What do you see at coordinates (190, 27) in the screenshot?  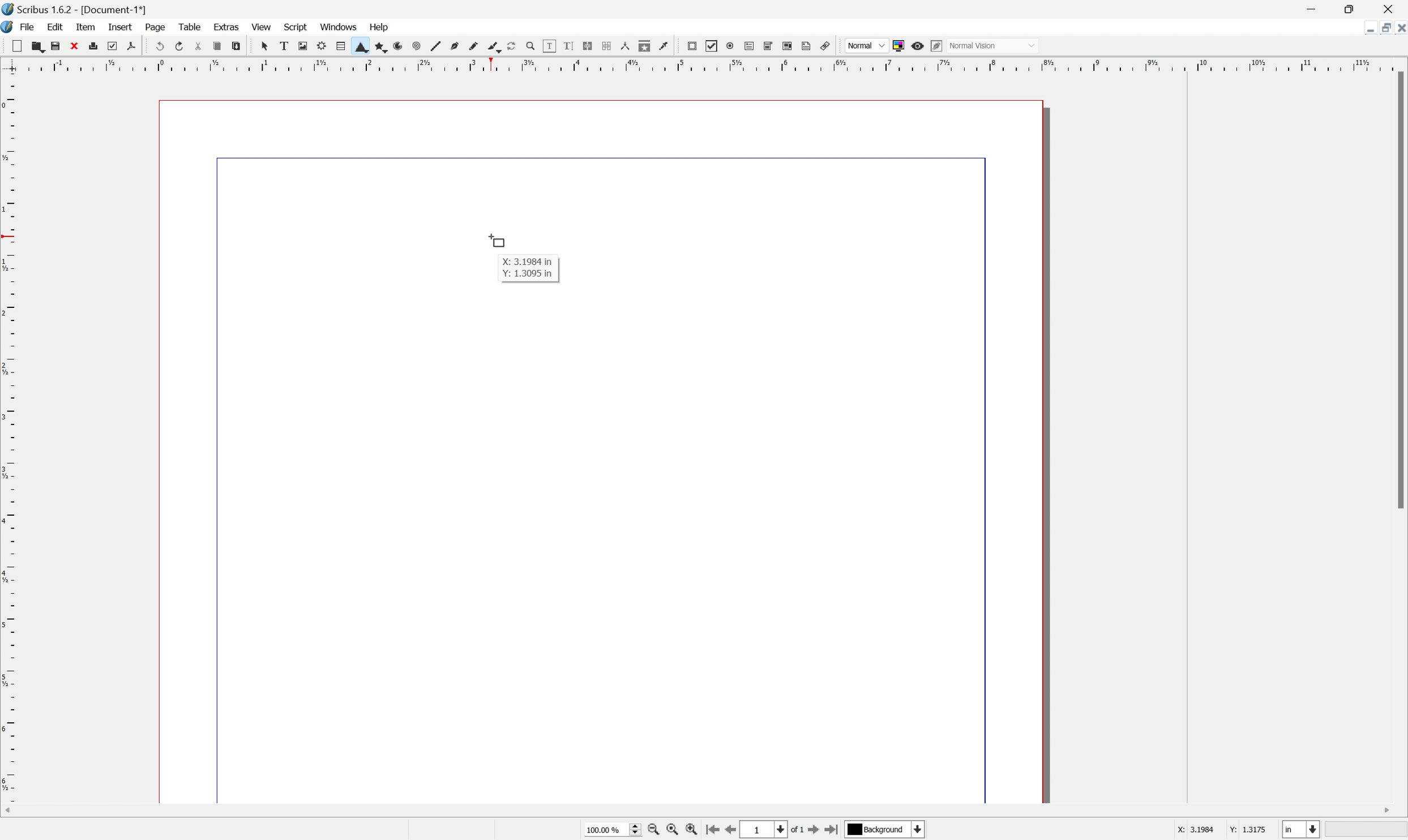 I see `Table` at bounding box center [190, 27].